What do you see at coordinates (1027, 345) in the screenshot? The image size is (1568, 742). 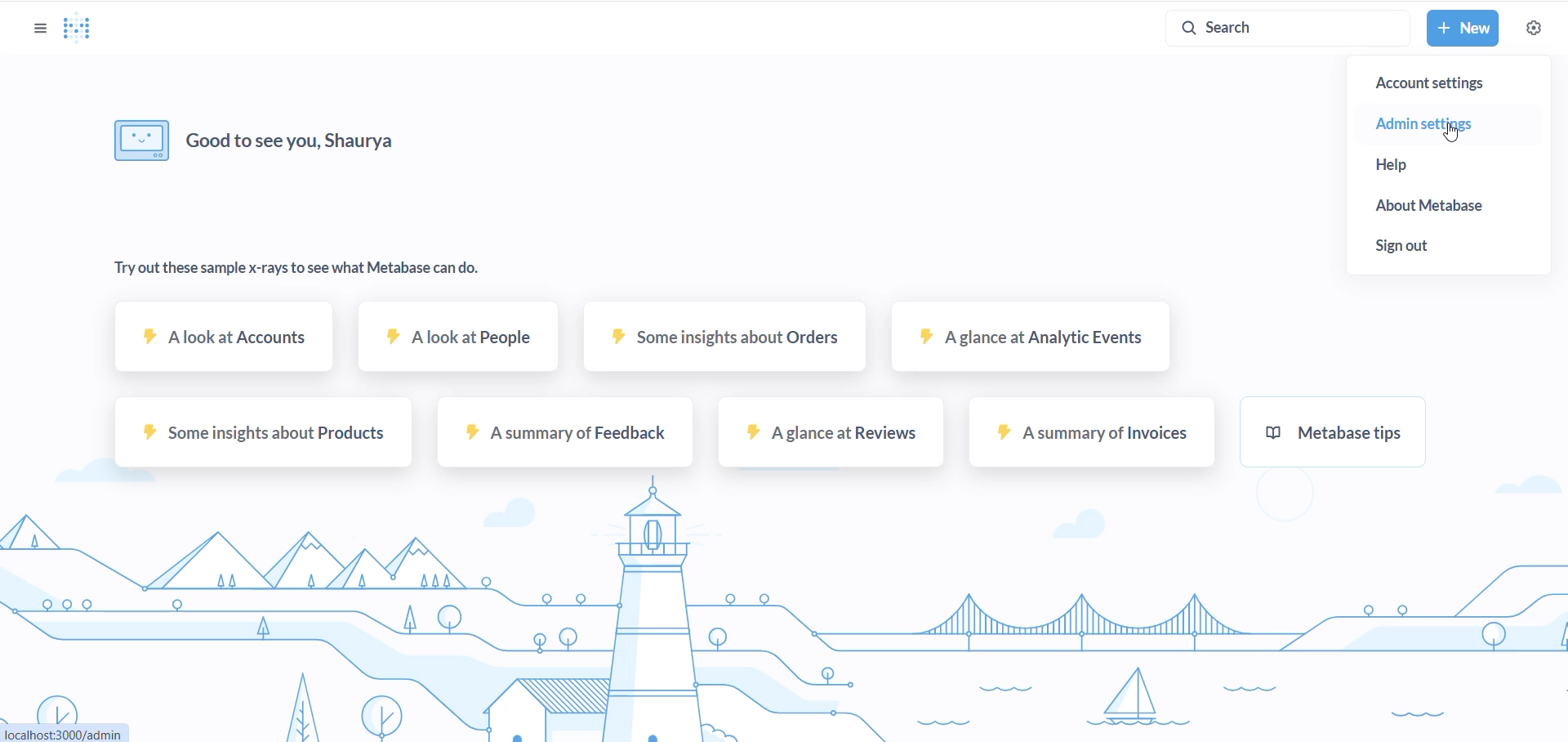 I see `A glance at analytic eventss` at bounding box center [1027, 345].